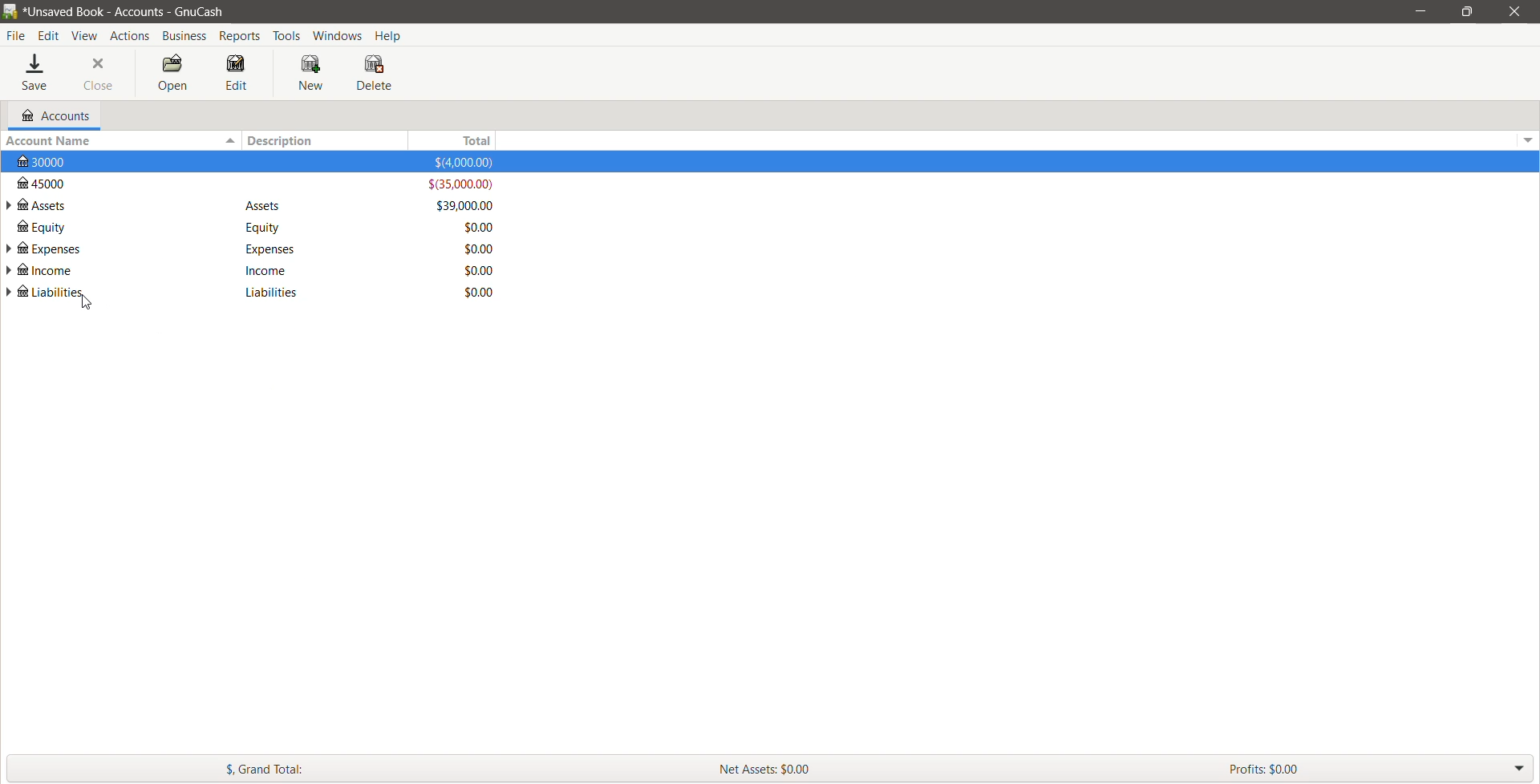 The image size is (1540, 784). I want to click on Help, so click(391, 34).